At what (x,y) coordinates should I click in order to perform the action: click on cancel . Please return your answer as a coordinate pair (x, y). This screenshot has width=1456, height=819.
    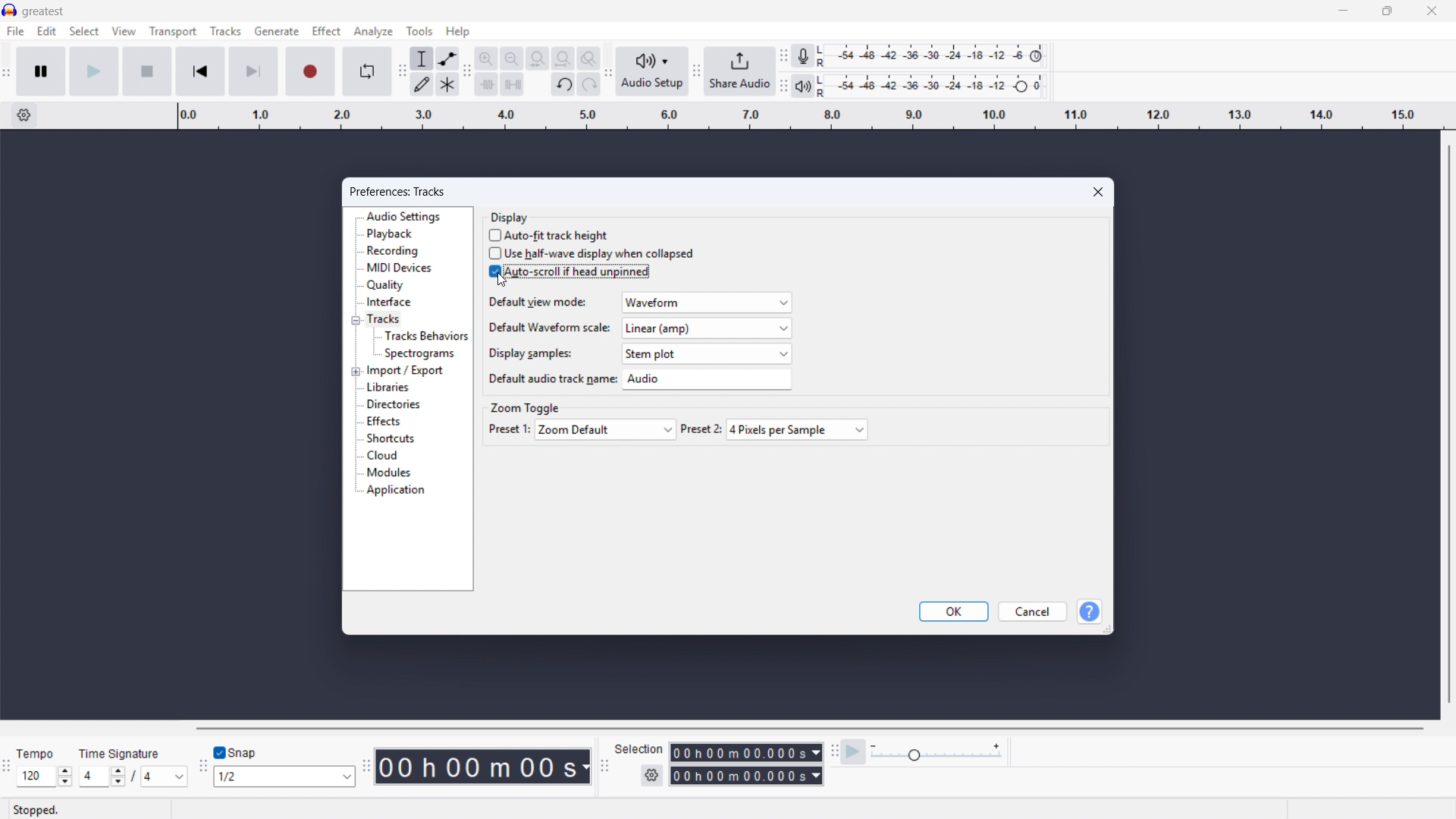
    Looking at the image, I should click on (1034, 612).